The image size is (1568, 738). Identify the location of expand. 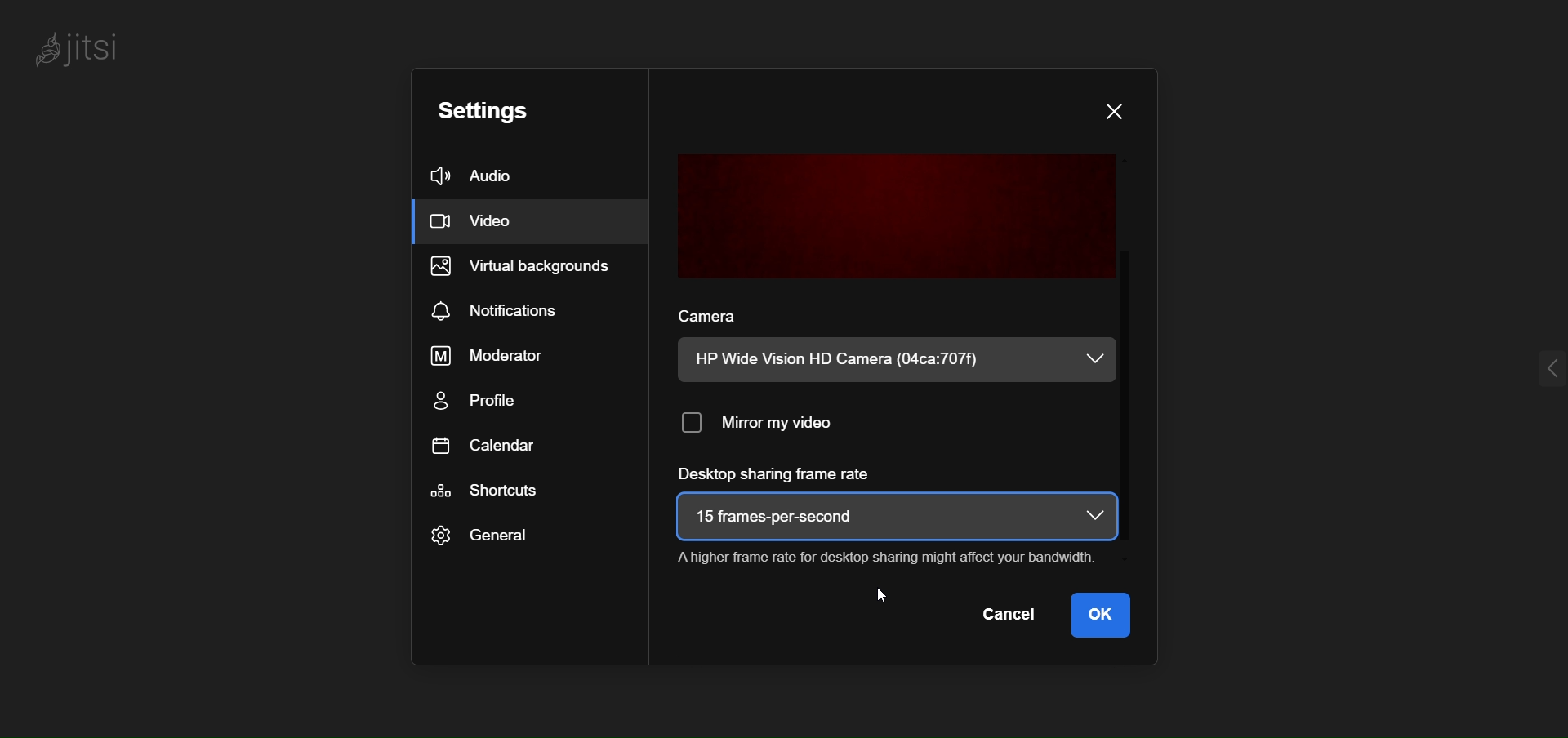
(1526, 367).